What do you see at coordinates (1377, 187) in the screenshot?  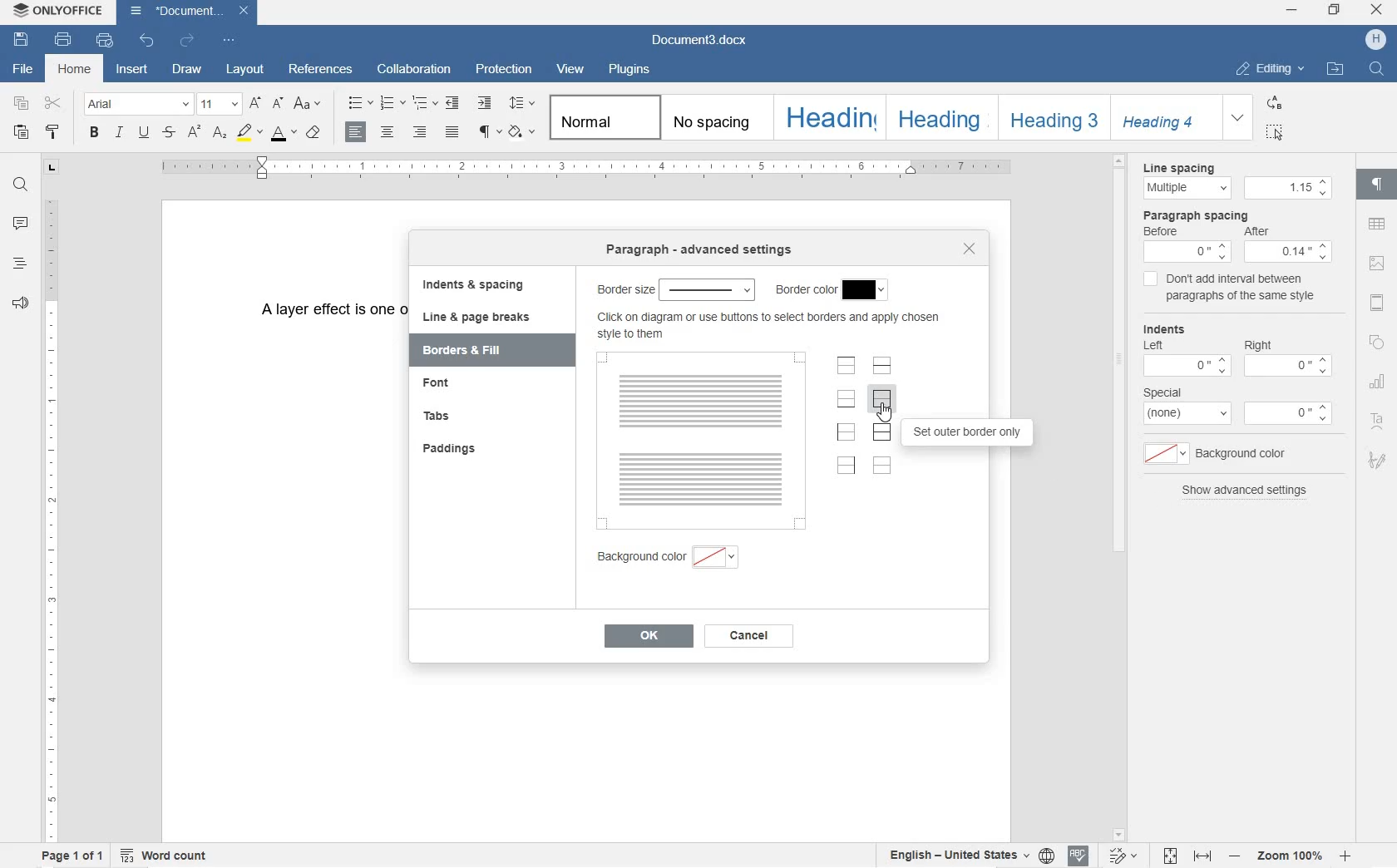 I see `PARAGRAPH SETTINGS` at bounding box center [1377, 187].